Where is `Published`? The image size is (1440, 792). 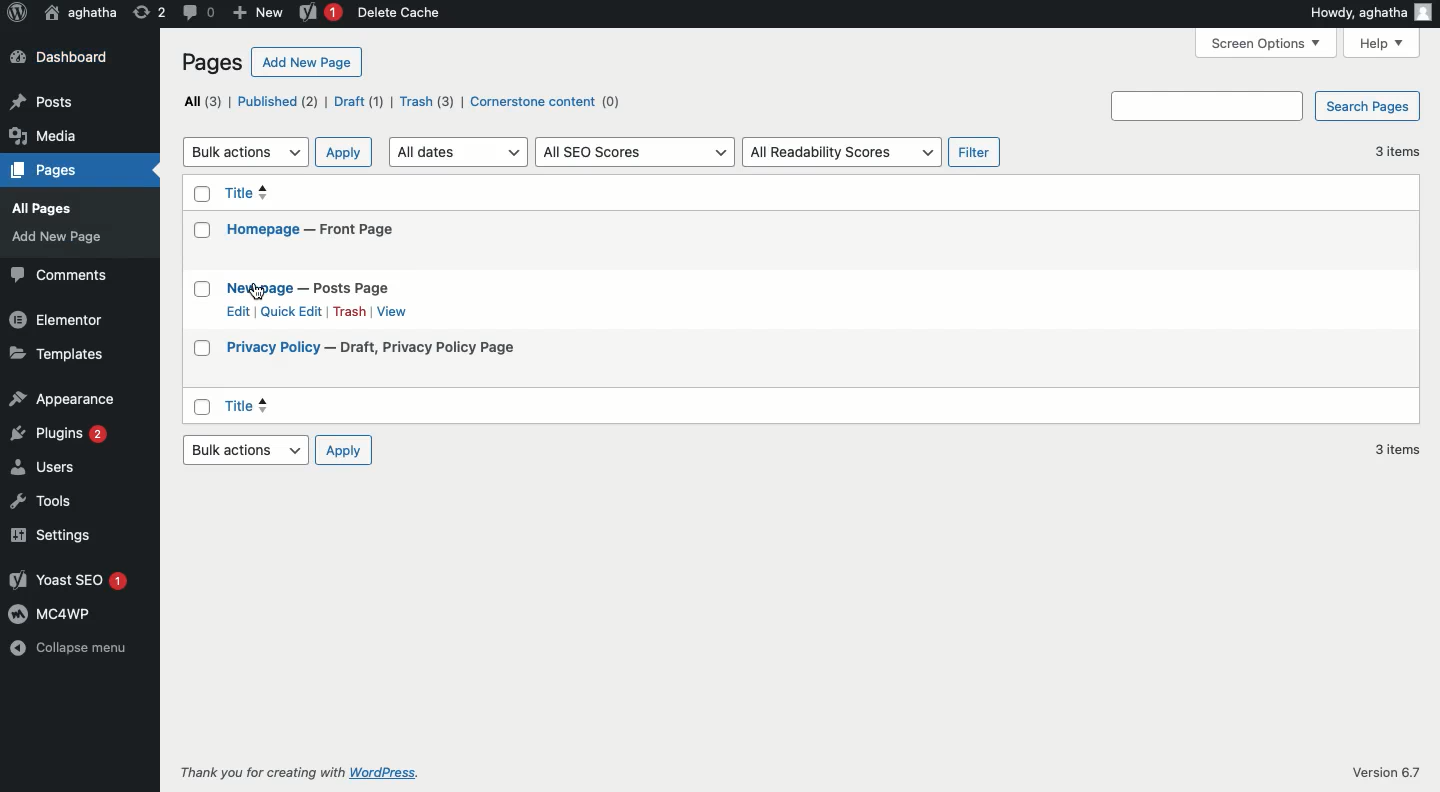
Published is located at coordinates (277, 101).